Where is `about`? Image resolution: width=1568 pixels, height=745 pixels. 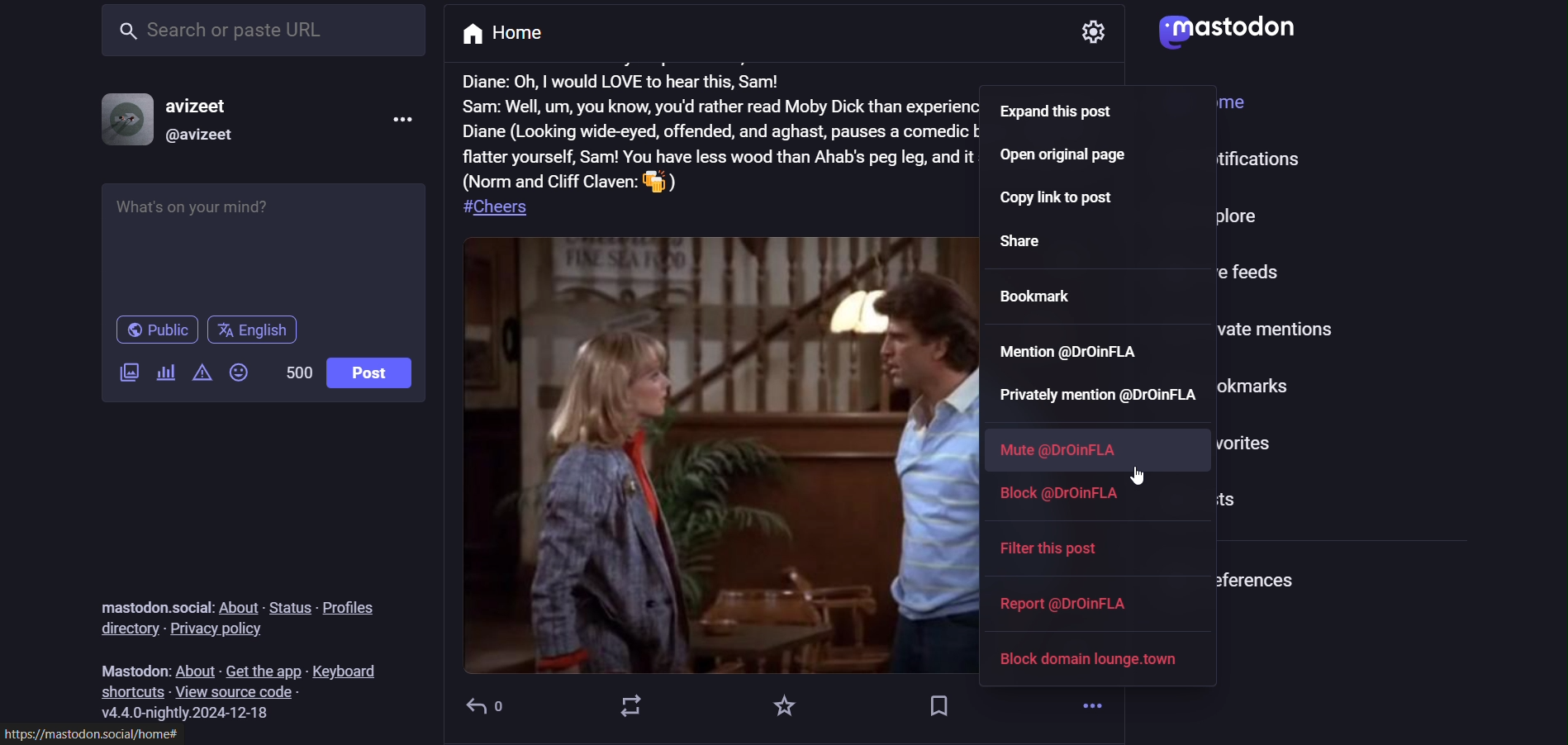
about is located at coordinates (240, 600).